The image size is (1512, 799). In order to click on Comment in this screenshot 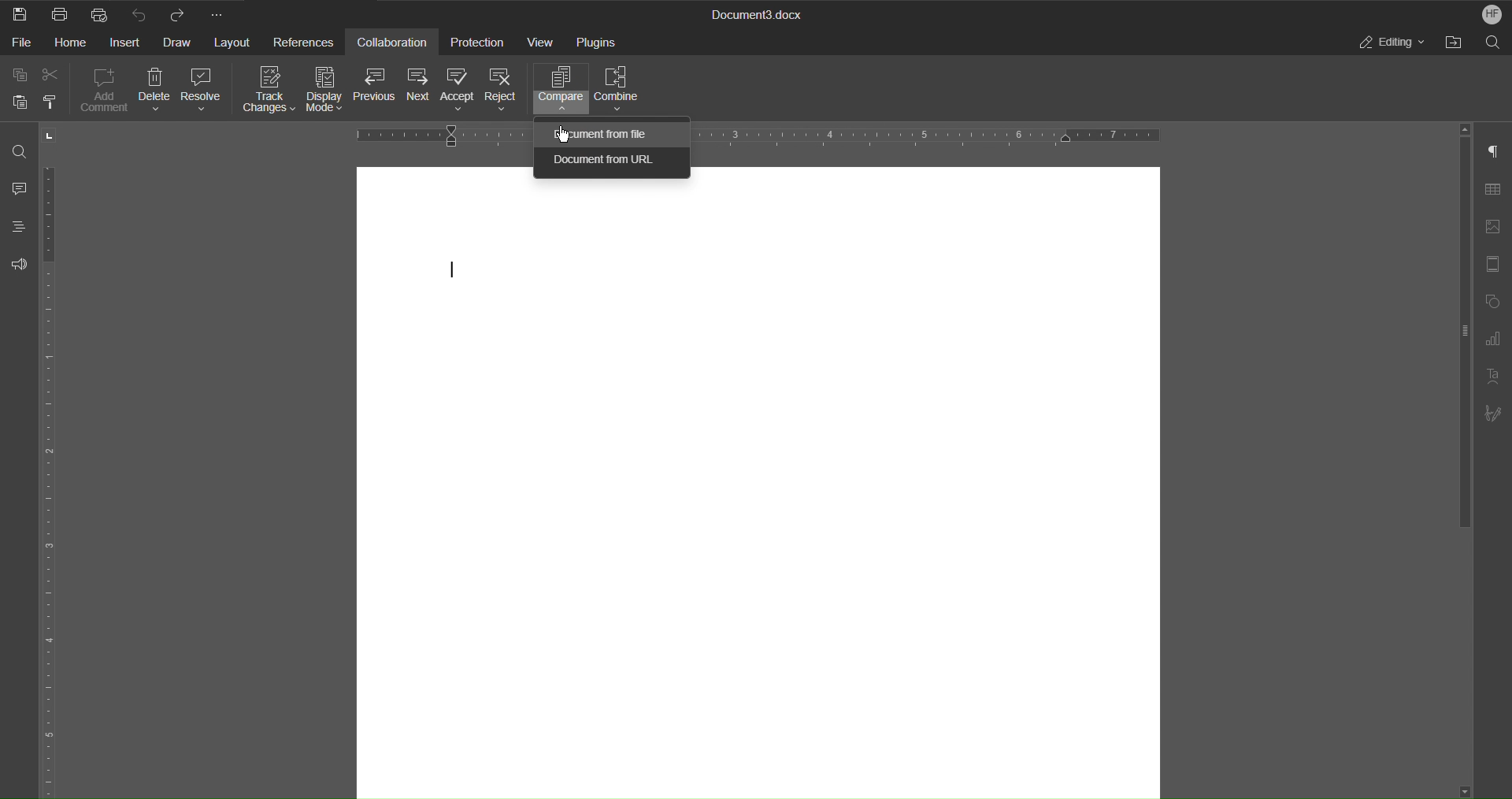, I will do `click(19, 185)`.